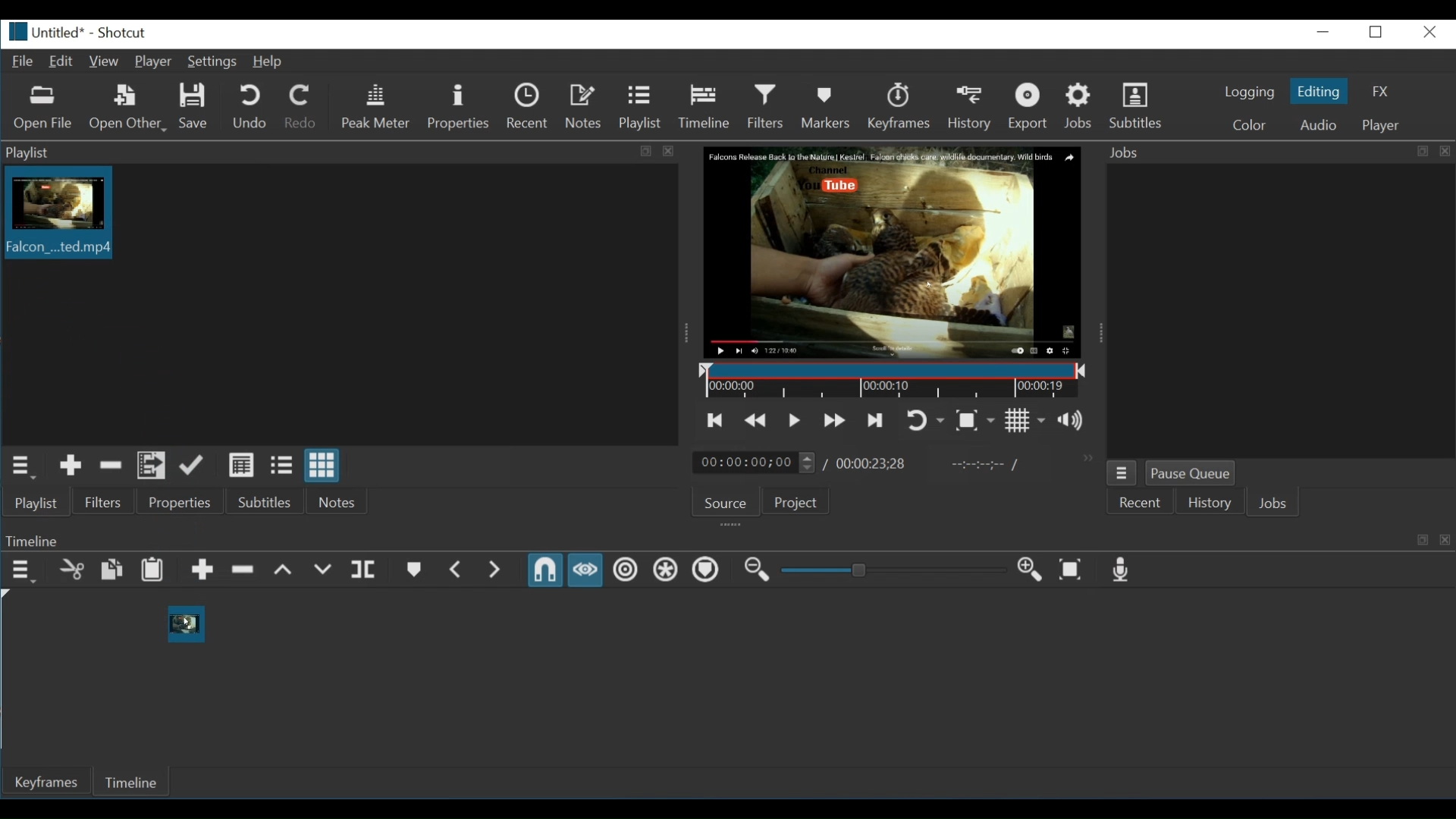  I want to click on Timeline, so click(704, 105).